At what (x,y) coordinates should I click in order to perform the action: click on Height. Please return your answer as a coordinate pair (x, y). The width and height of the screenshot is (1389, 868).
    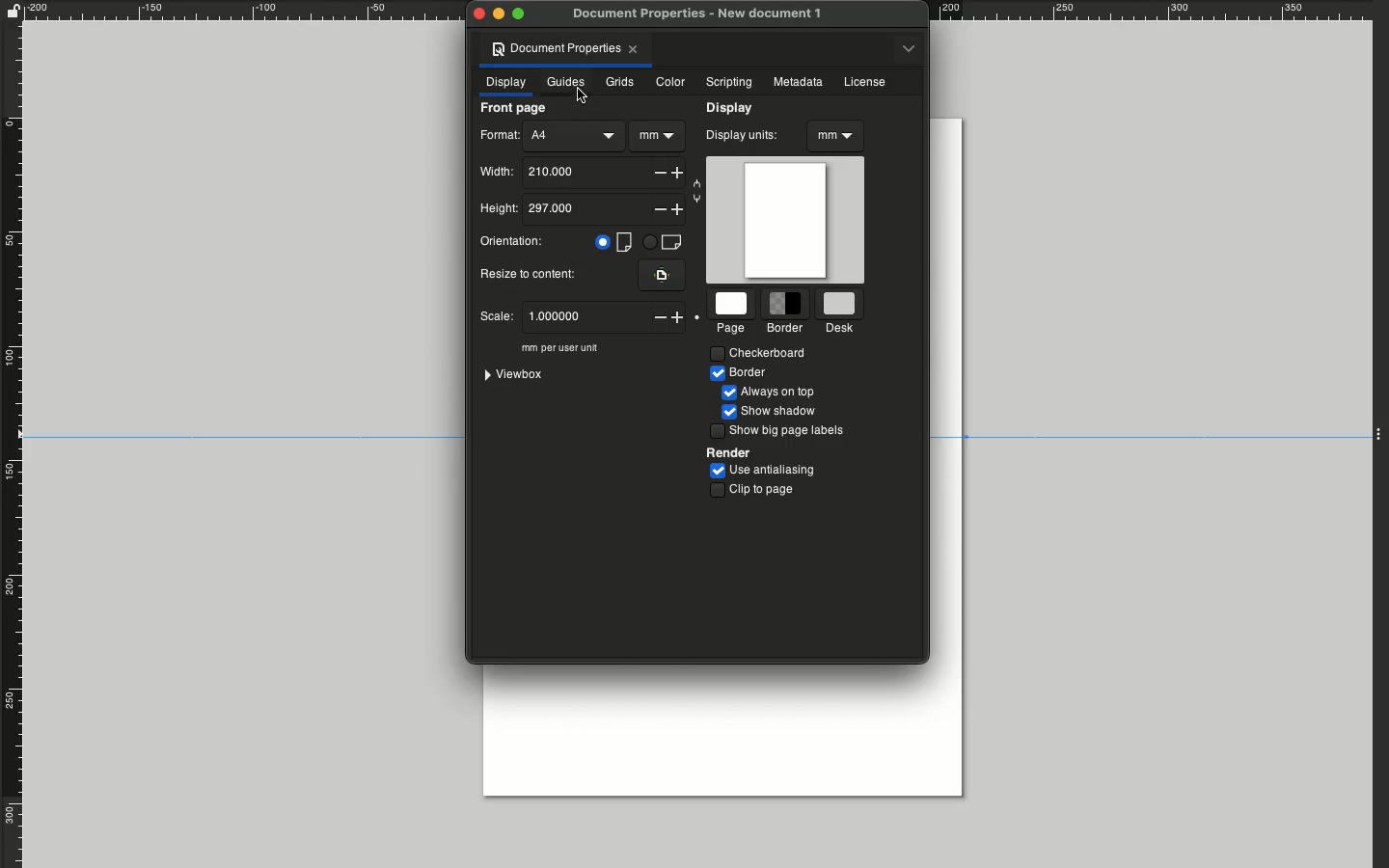
    Looking at the image, I should click on (495, 210).